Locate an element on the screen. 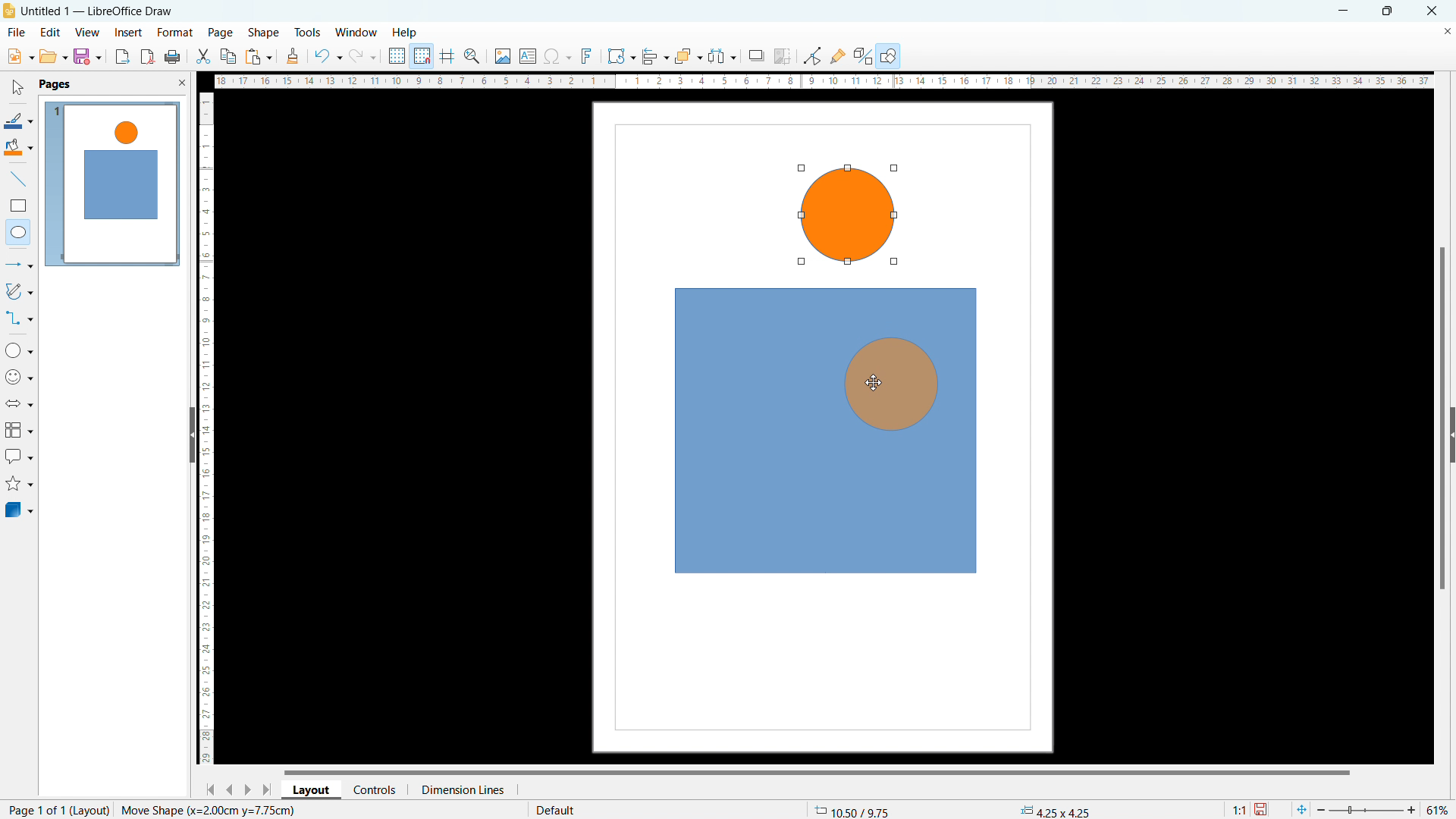 The width and height of the screenshot is (1456, 819). tools is located at coordinates (309, 32).